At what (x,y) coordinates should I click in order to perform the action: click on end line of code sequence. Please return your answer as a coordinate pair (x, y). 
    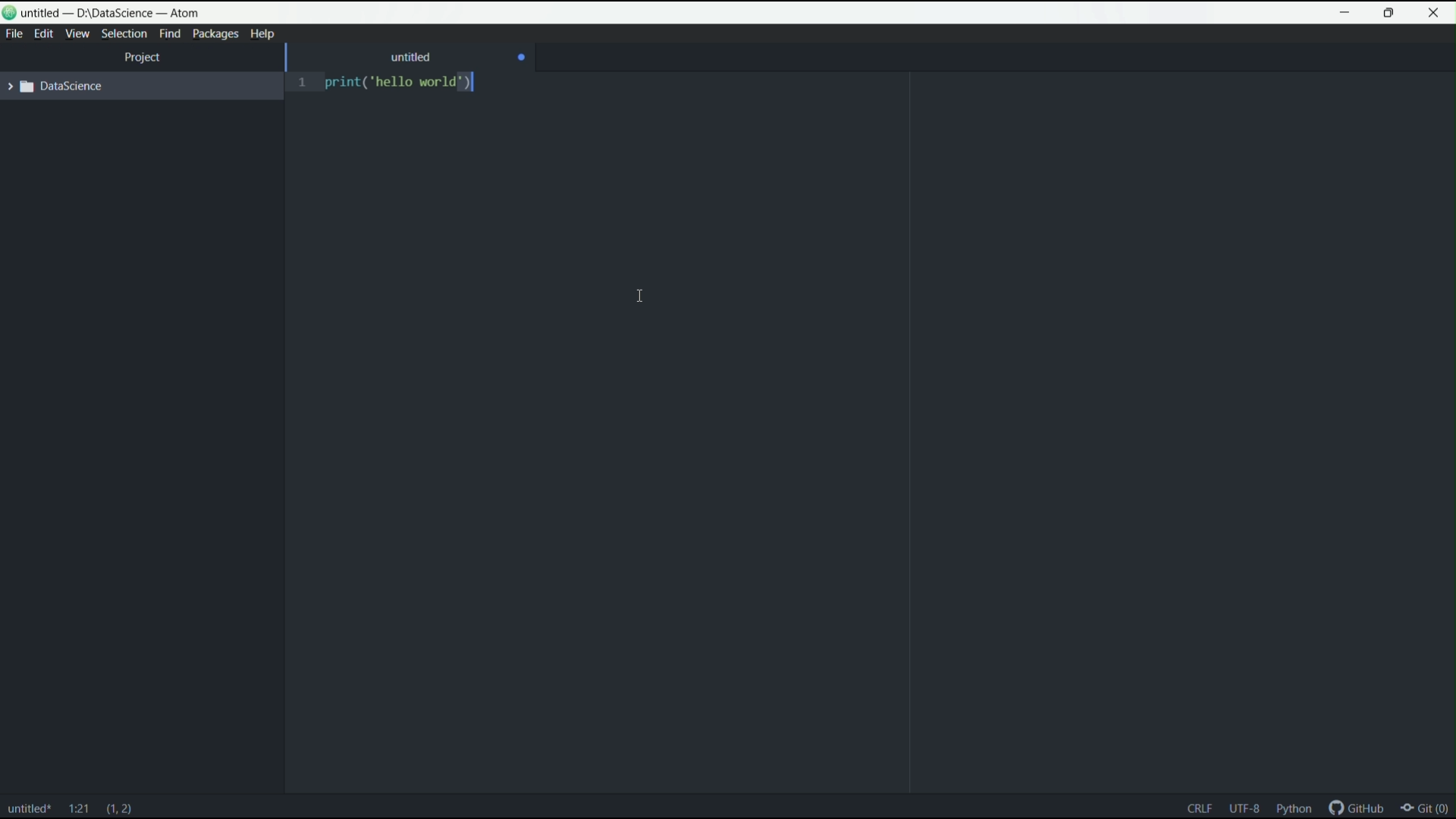
    Looking at the image, I should click on (1197, 808).